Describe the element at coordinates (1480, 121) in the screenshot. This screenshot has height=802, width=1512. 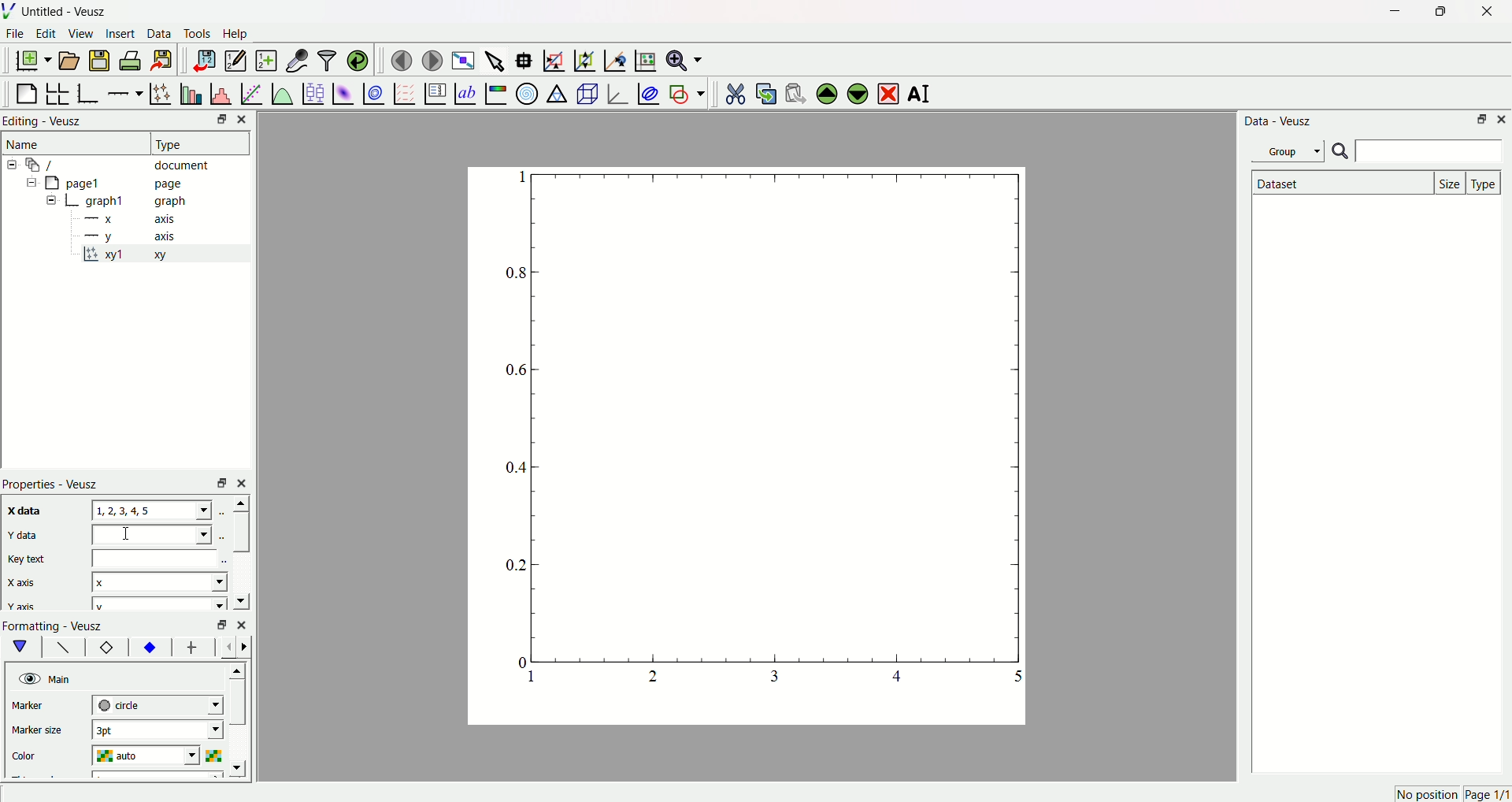
I see `Minimize` at that location.